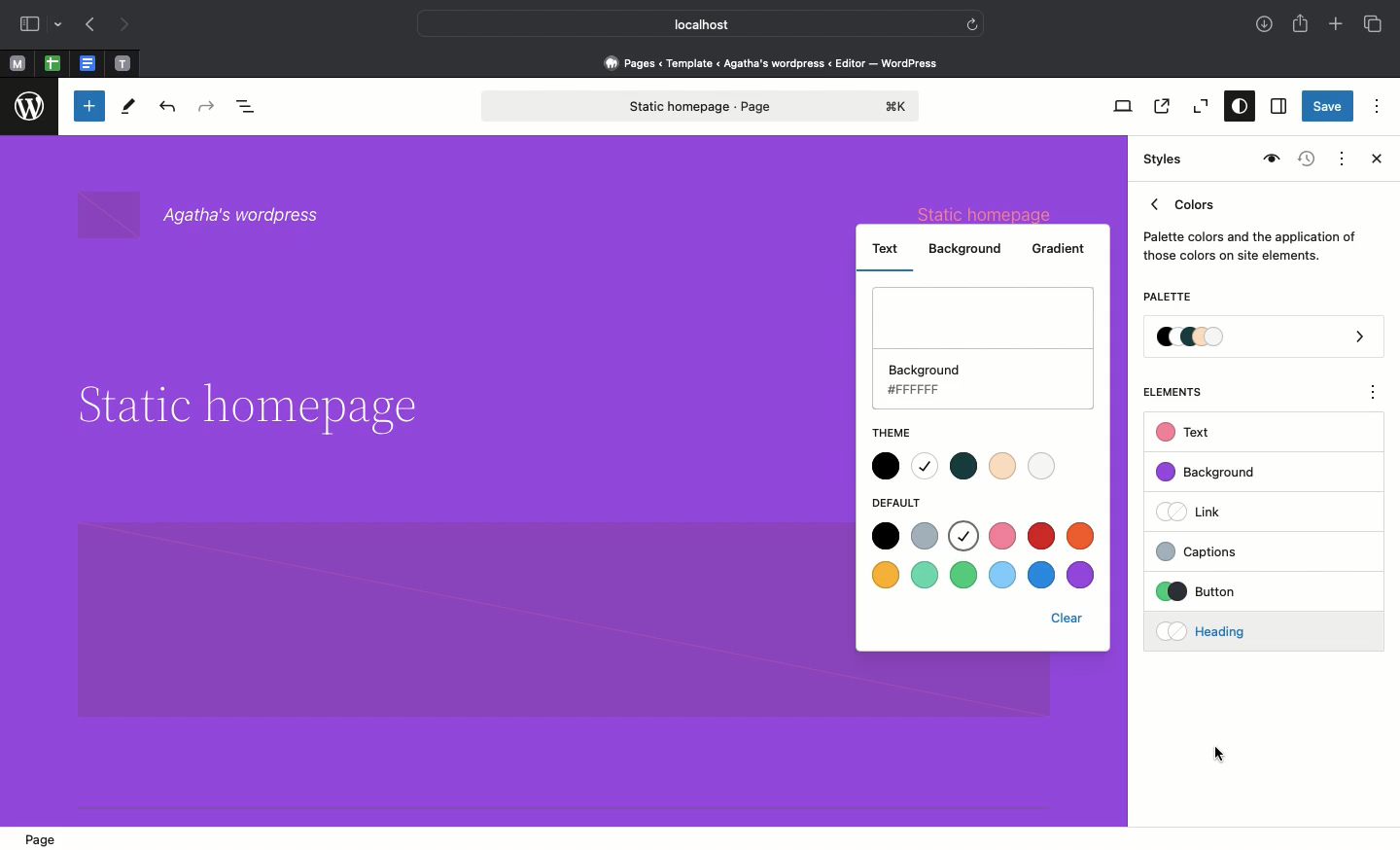 This screenshot has height=850, width=1400. What do you see at coordinates (1072, 618) in the screenshot?
I see `clear` at bounding box center [1072, 618].